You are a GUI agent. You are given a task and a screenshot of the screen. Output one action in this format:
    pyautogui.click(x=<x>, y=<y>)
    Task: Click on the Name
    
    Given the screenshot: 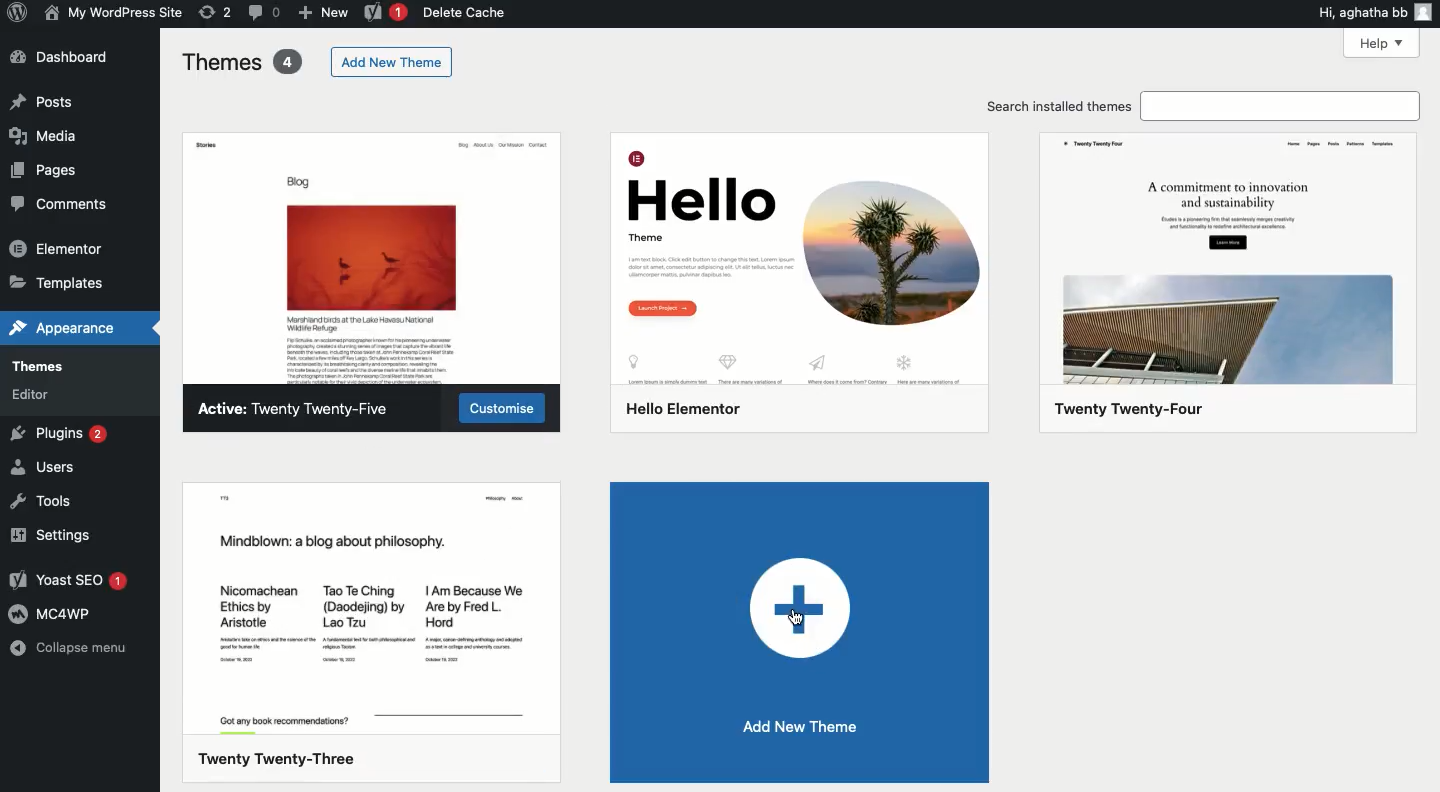 What is the action you would take?
    pyautogui.click(x=114, y=12)
    